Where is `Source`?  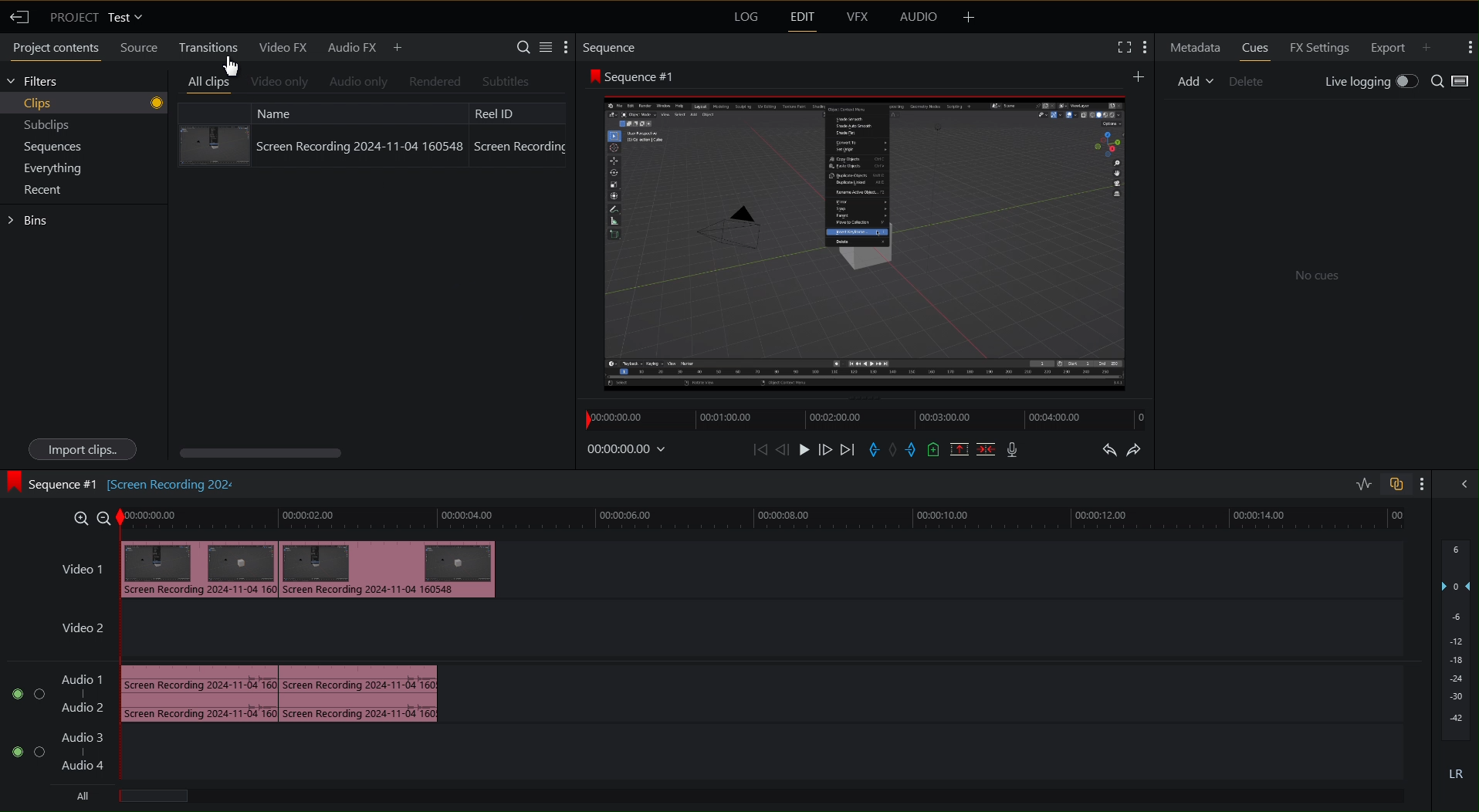 Source is located at coordinates (136, 47).